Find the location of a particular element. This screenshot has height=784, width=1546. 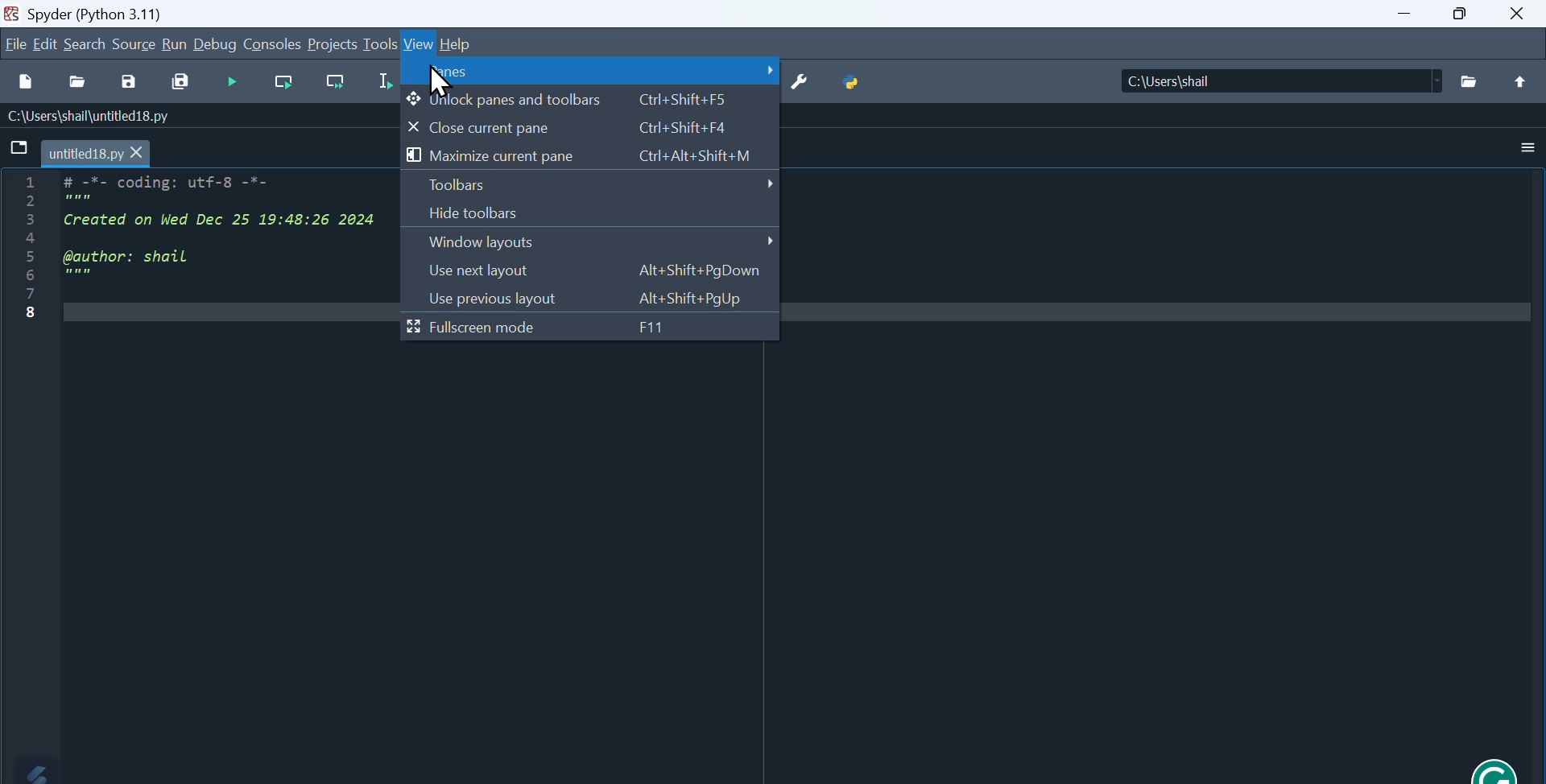

Close is located at coordinates (1515, 15).